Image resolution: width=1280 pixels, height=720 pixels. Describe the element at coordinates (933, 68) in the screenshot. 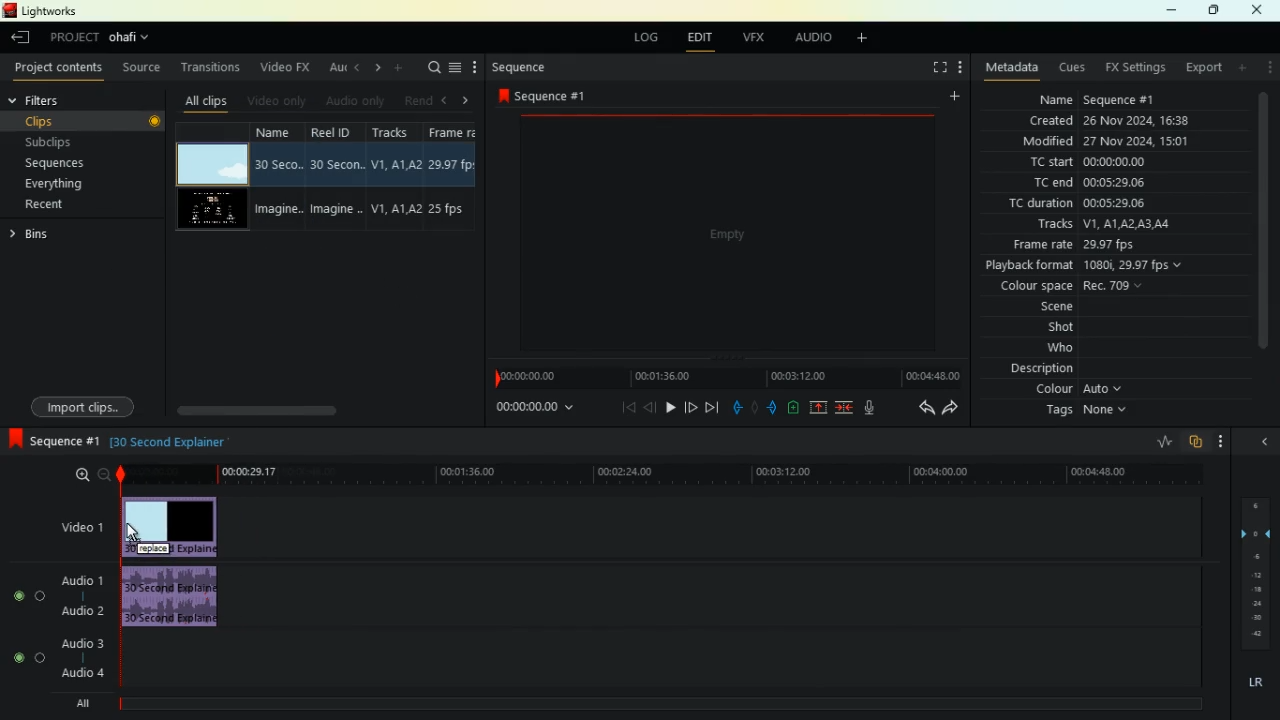

I see `fullscreen` at that location.